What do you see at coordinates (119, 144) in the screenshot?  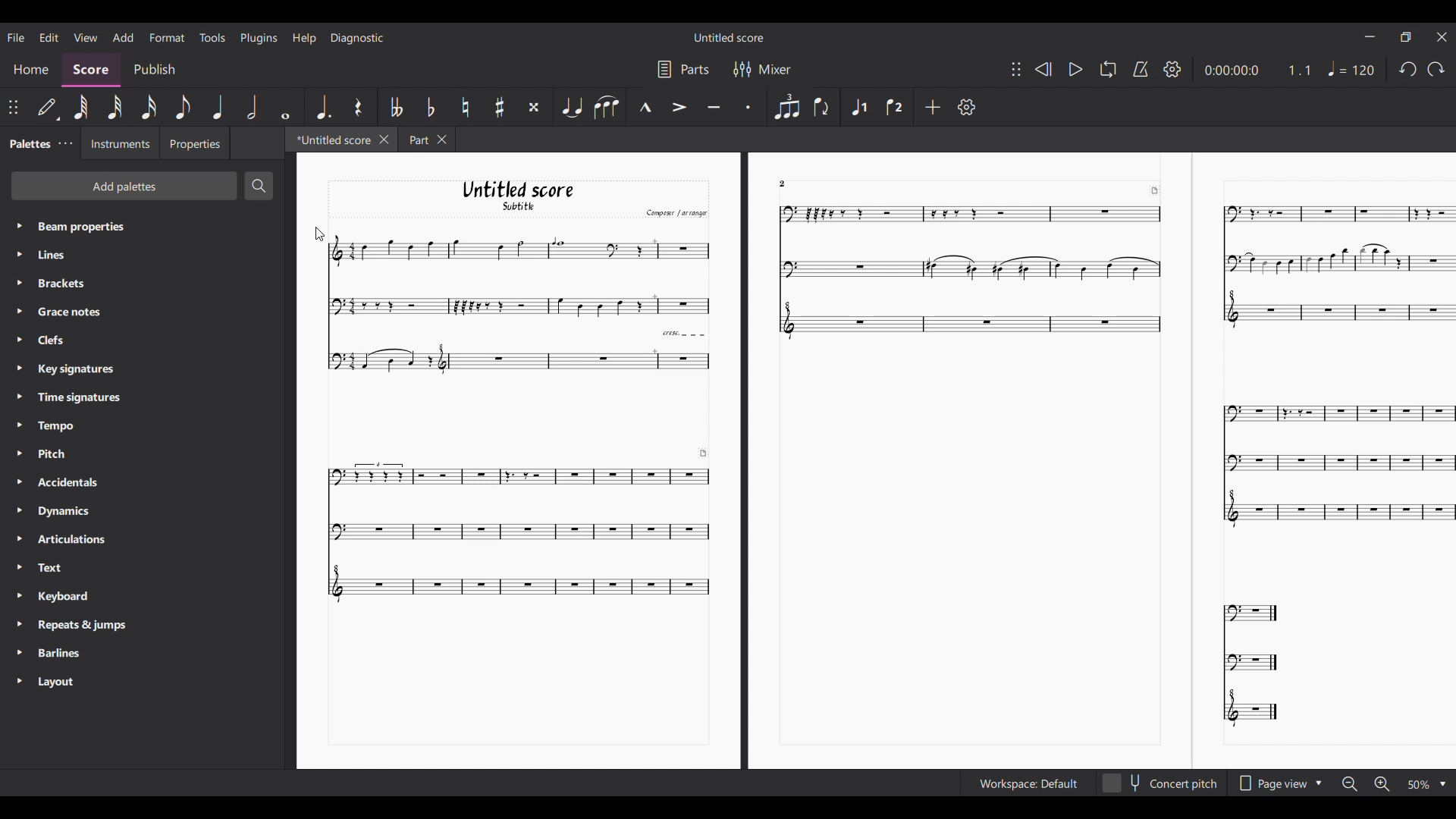 I see `Instruments` at bounding box center [119, 144].